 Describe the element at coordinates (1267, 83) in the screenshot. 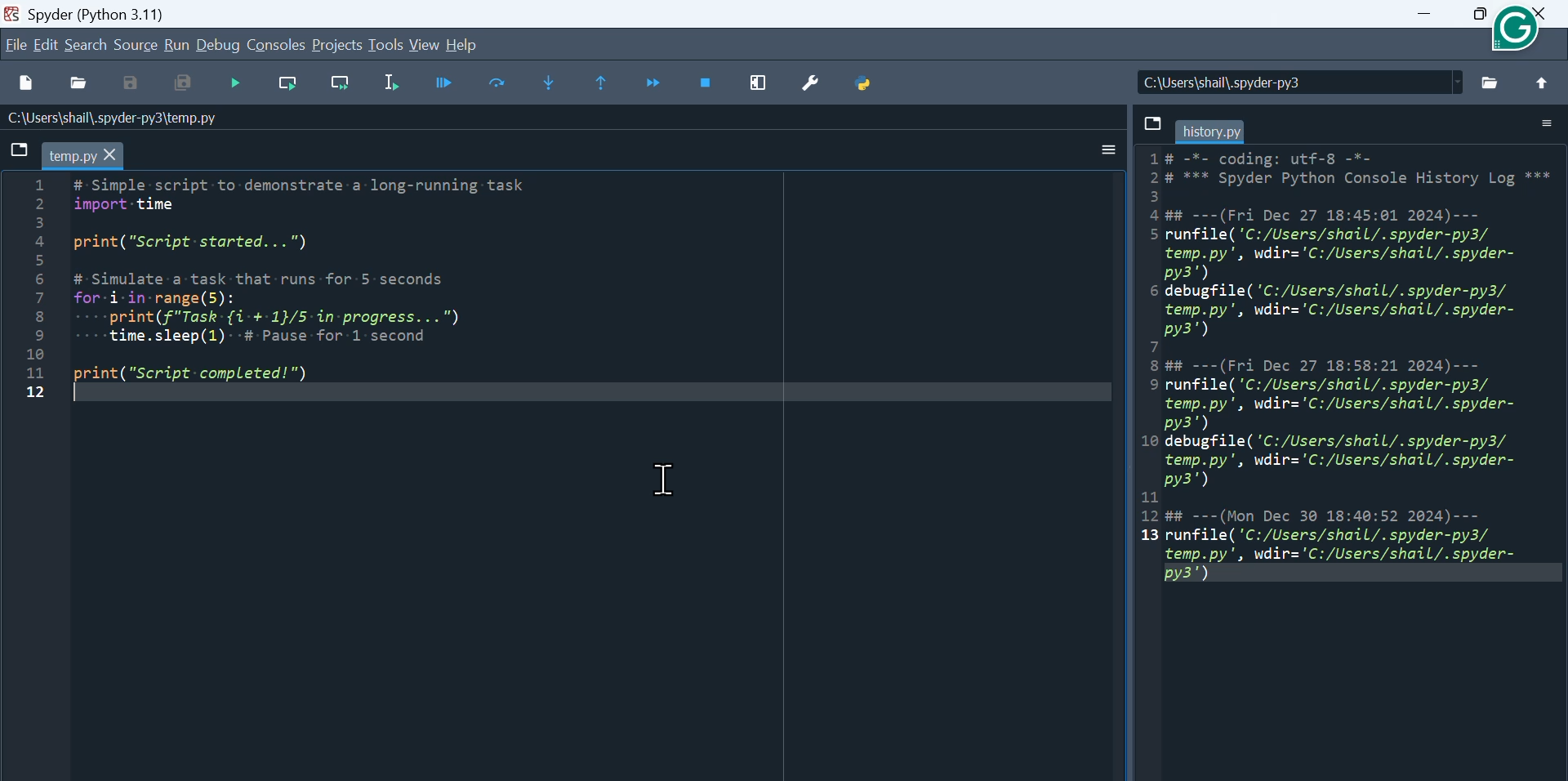

I see `C:\Users\shail\.spyder-py3` at that location.